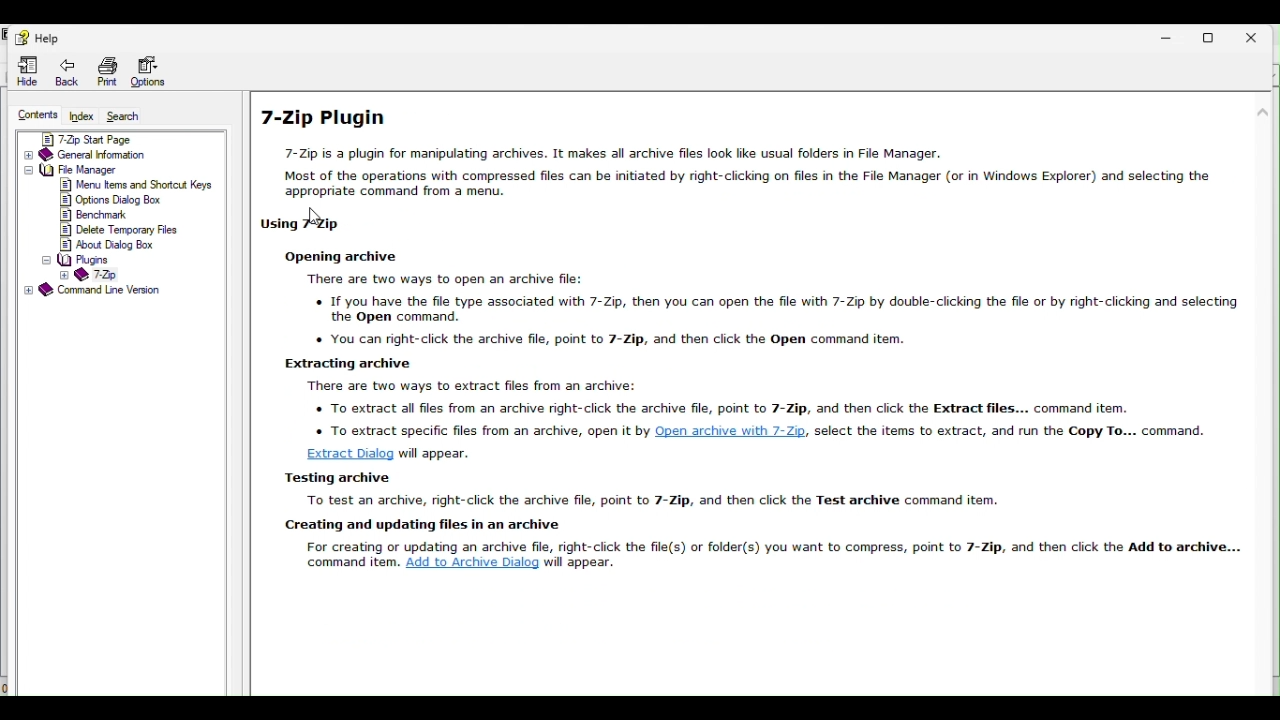  What do you see at coordinates (80, 117) in the screenshot?
I see `index` at bounding box center [80, 117].